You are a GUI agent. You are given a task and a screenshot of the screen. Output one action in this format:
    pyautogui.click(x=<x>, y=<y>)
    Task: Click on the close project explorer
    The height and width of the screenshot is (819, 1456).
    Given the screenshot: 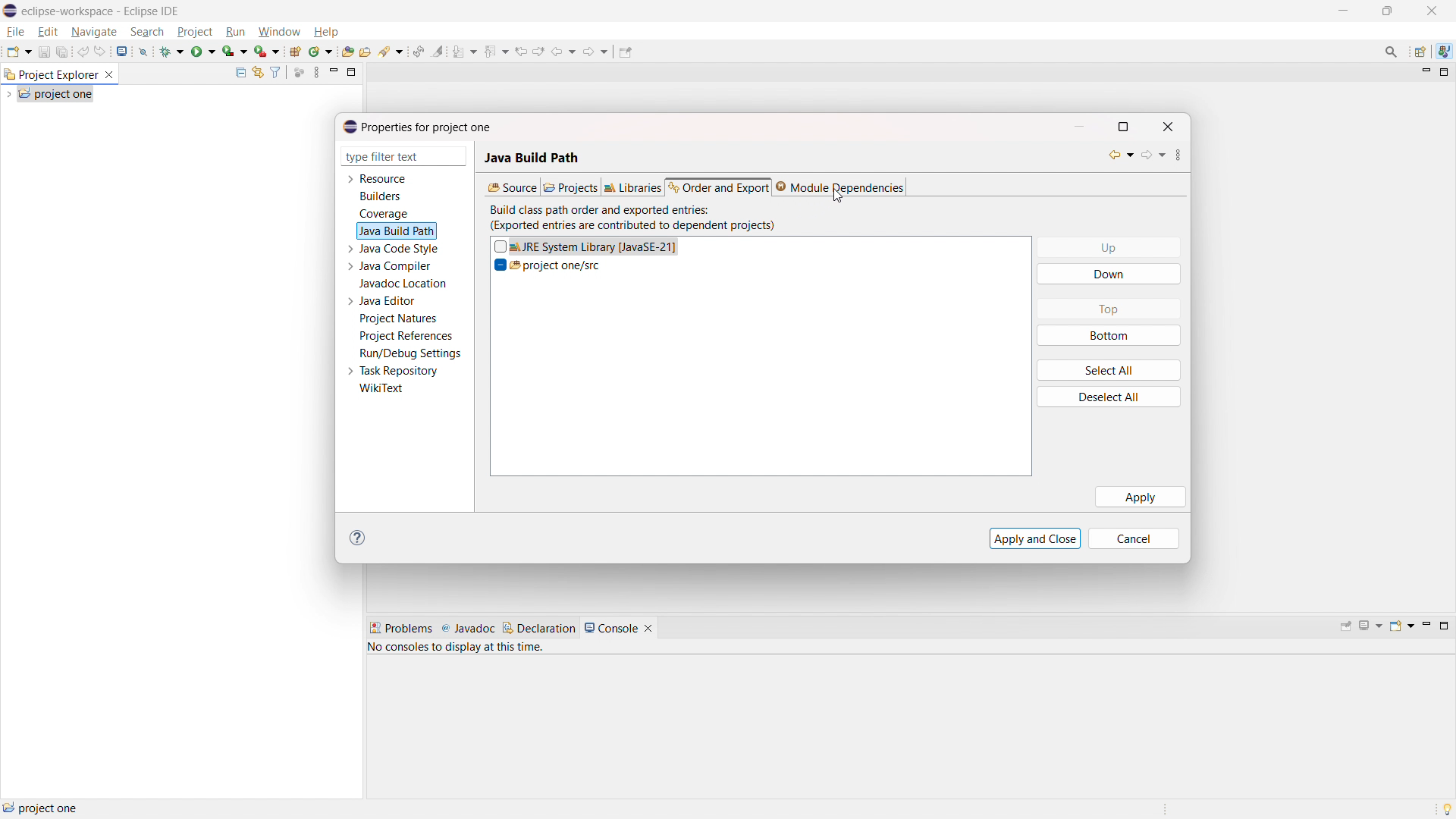 What is the action you would take?
    pyautogui.click(x=109, y=75)
    